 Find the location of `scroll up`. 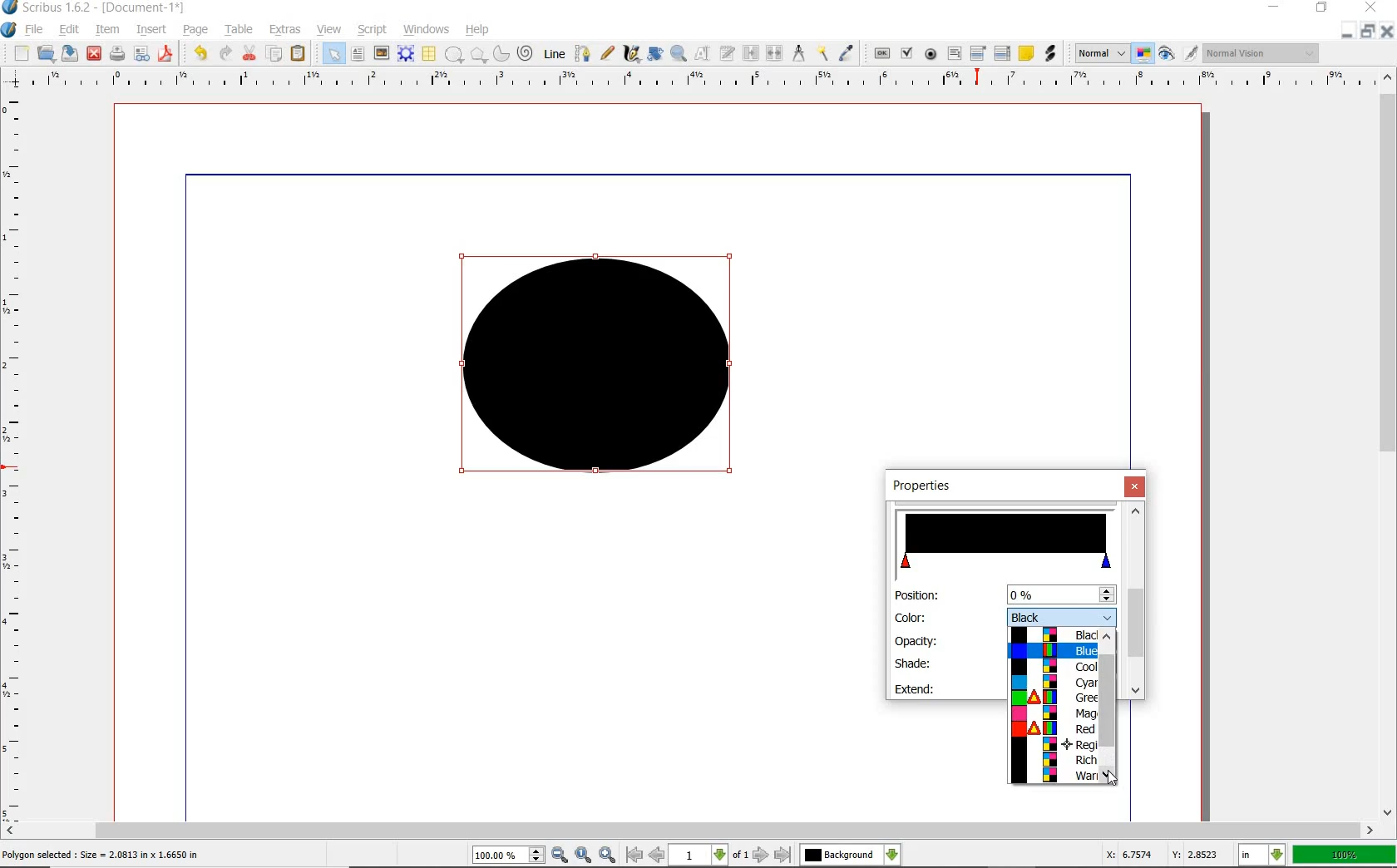

scroll up is located at coordinates (1108, 640).